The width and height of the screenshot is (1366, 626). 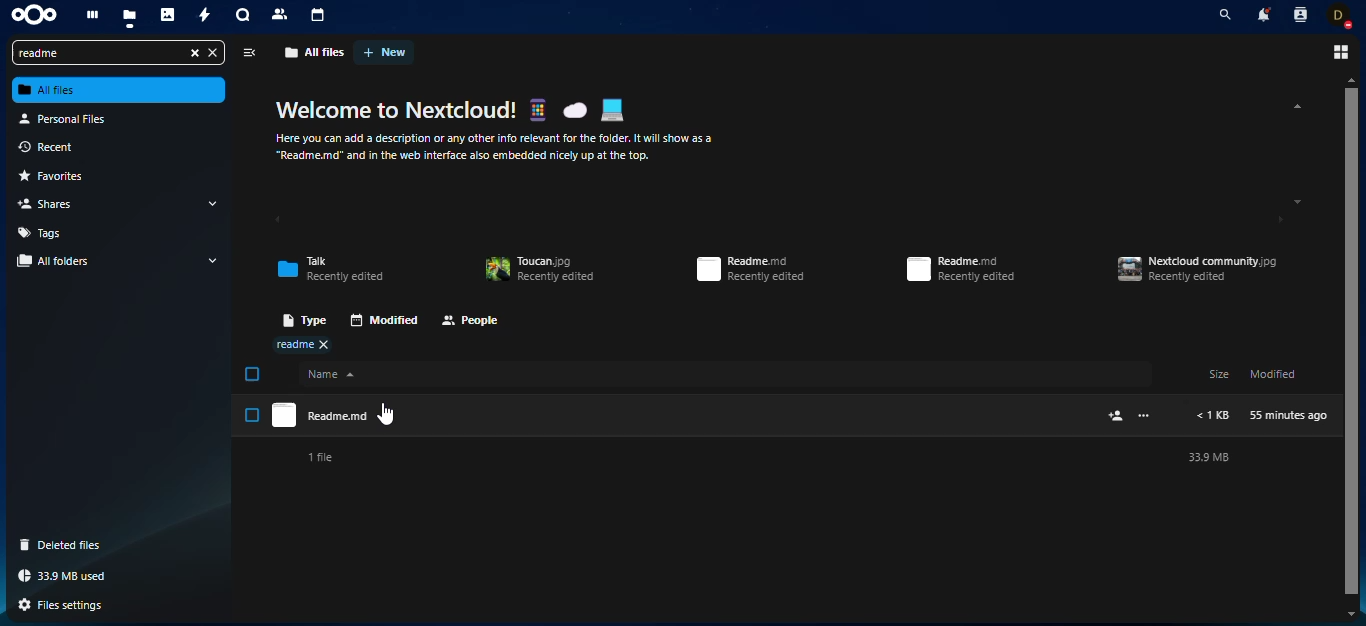 I want to click on Welcome to Nextcloud!, so click(x=397, y=110).